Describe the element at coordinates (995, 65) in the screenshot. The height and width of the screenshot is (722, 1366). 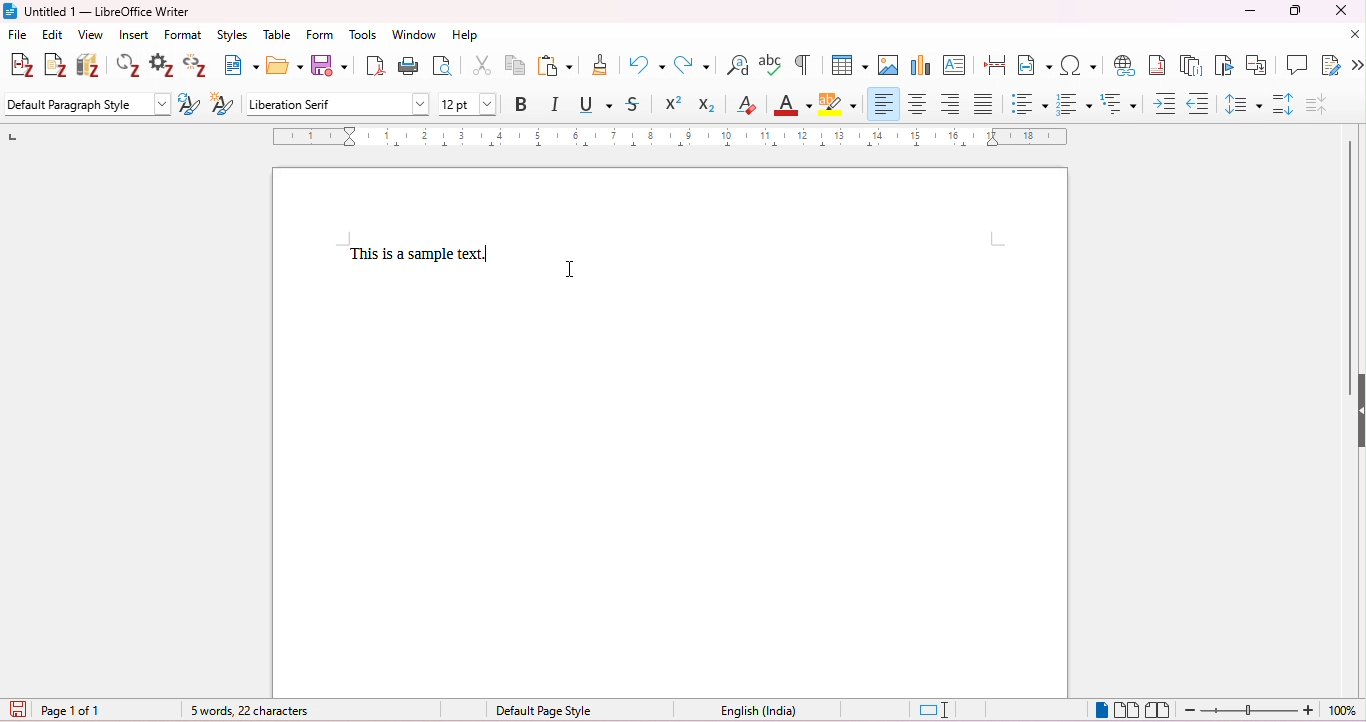
I see `page breaks` at that location.